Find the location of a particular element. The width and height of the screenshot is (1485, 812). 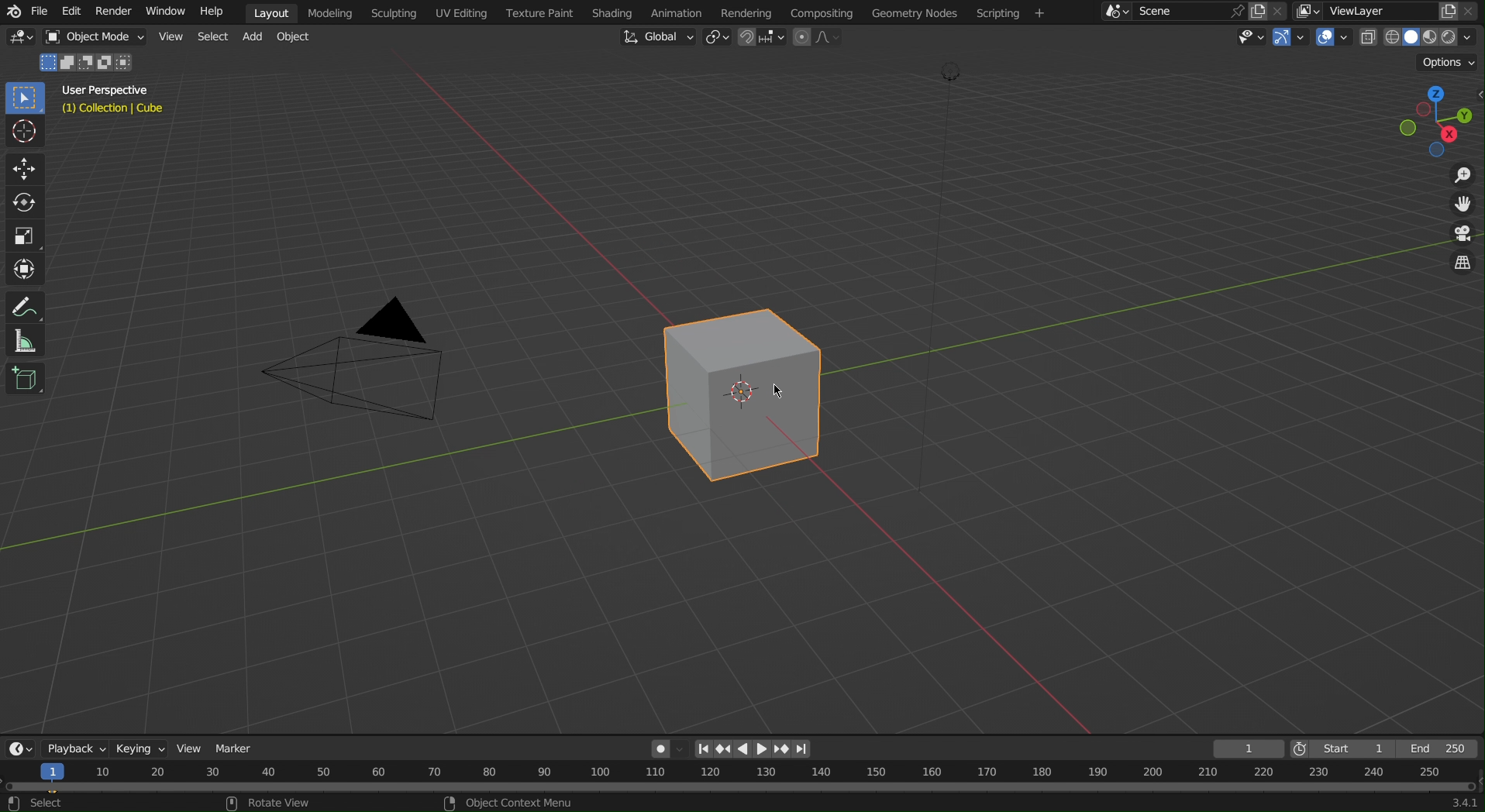

Transform Pivot Point is located at coordinates (718, 39).